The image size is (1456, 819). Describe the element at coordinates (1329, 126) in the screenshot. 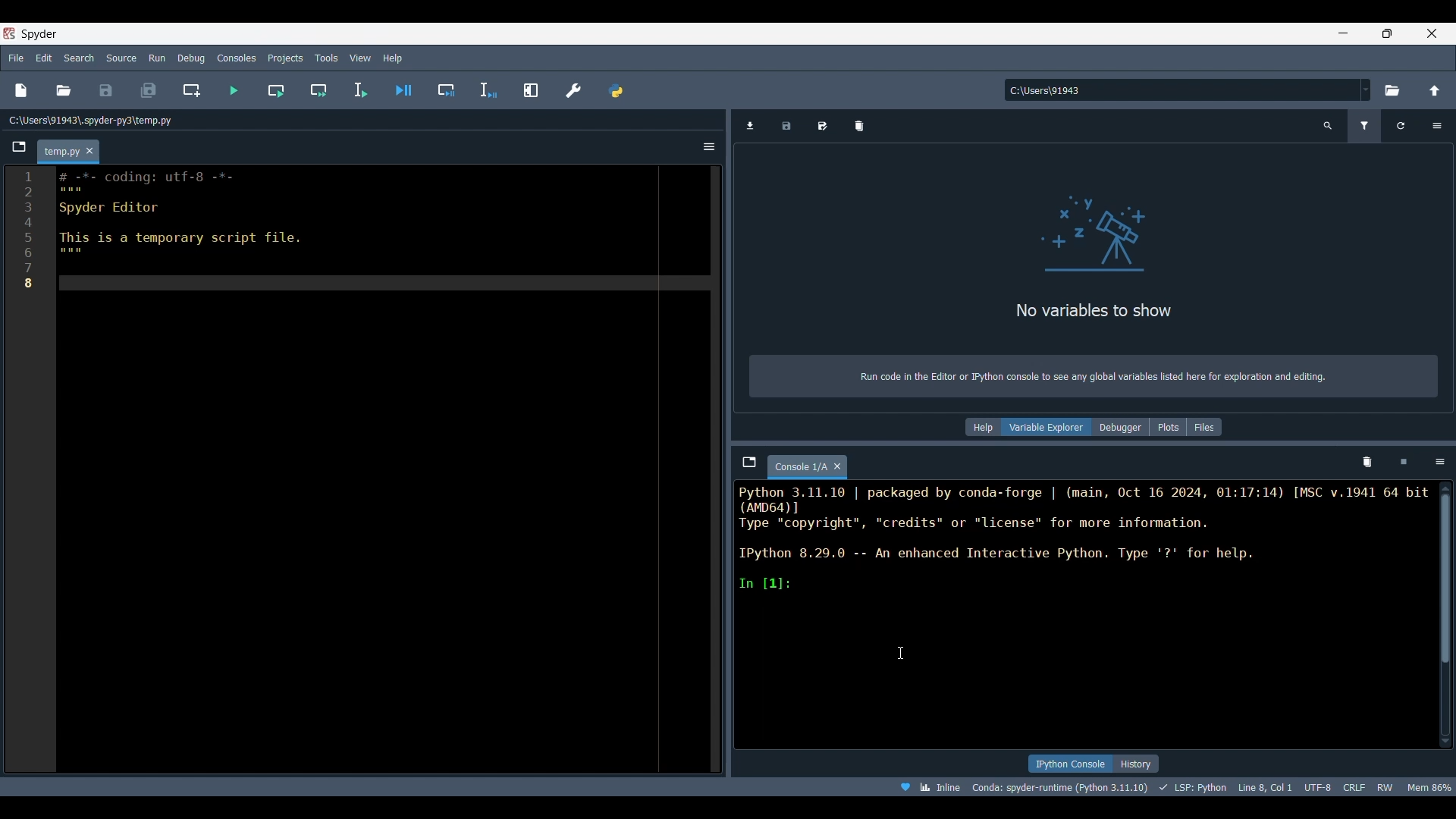

I see `Search variable names and types` at that location.